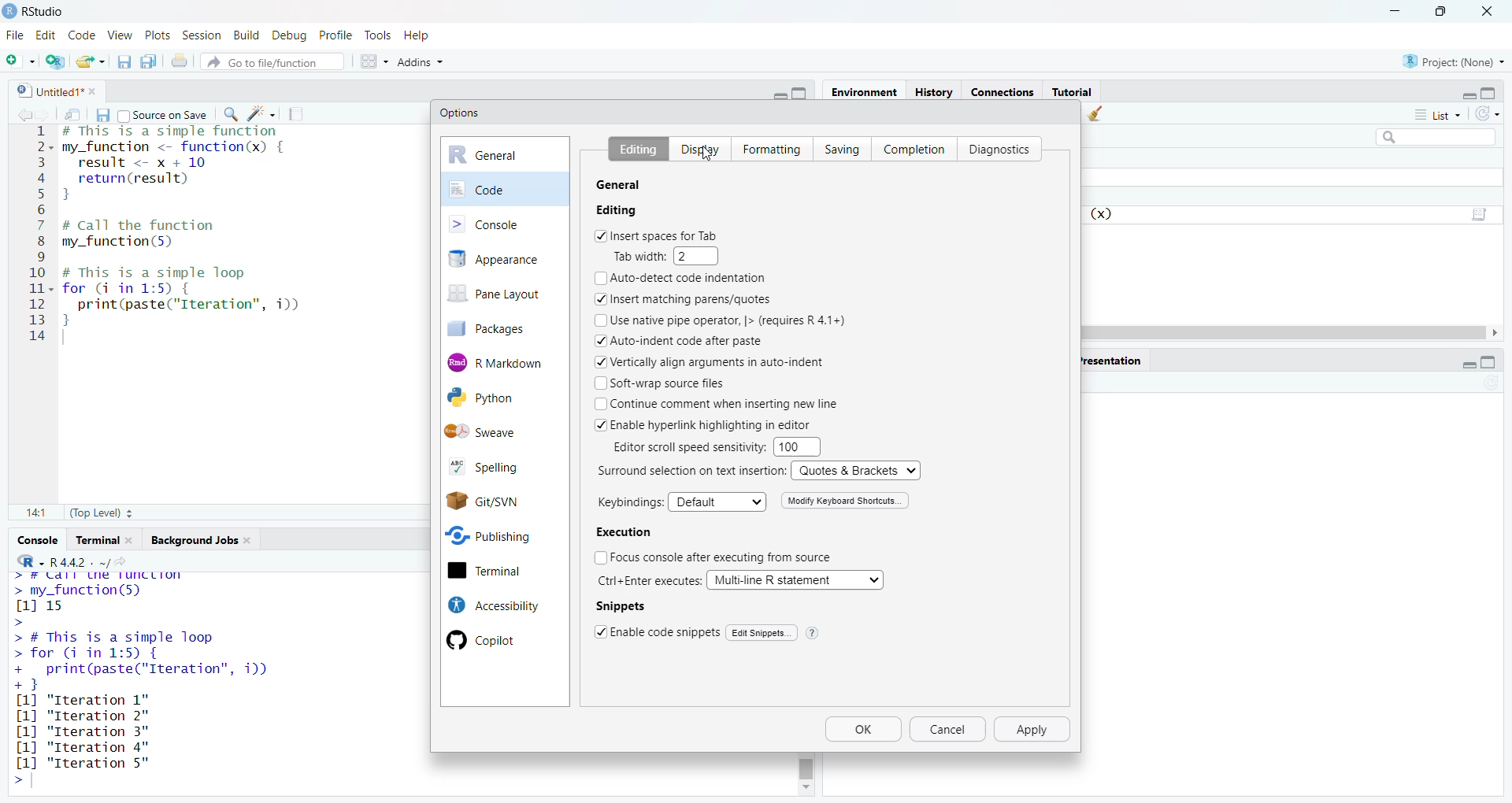 The image size is (1512, 803). I want to click on code of a simple loop, so click(187, 296).